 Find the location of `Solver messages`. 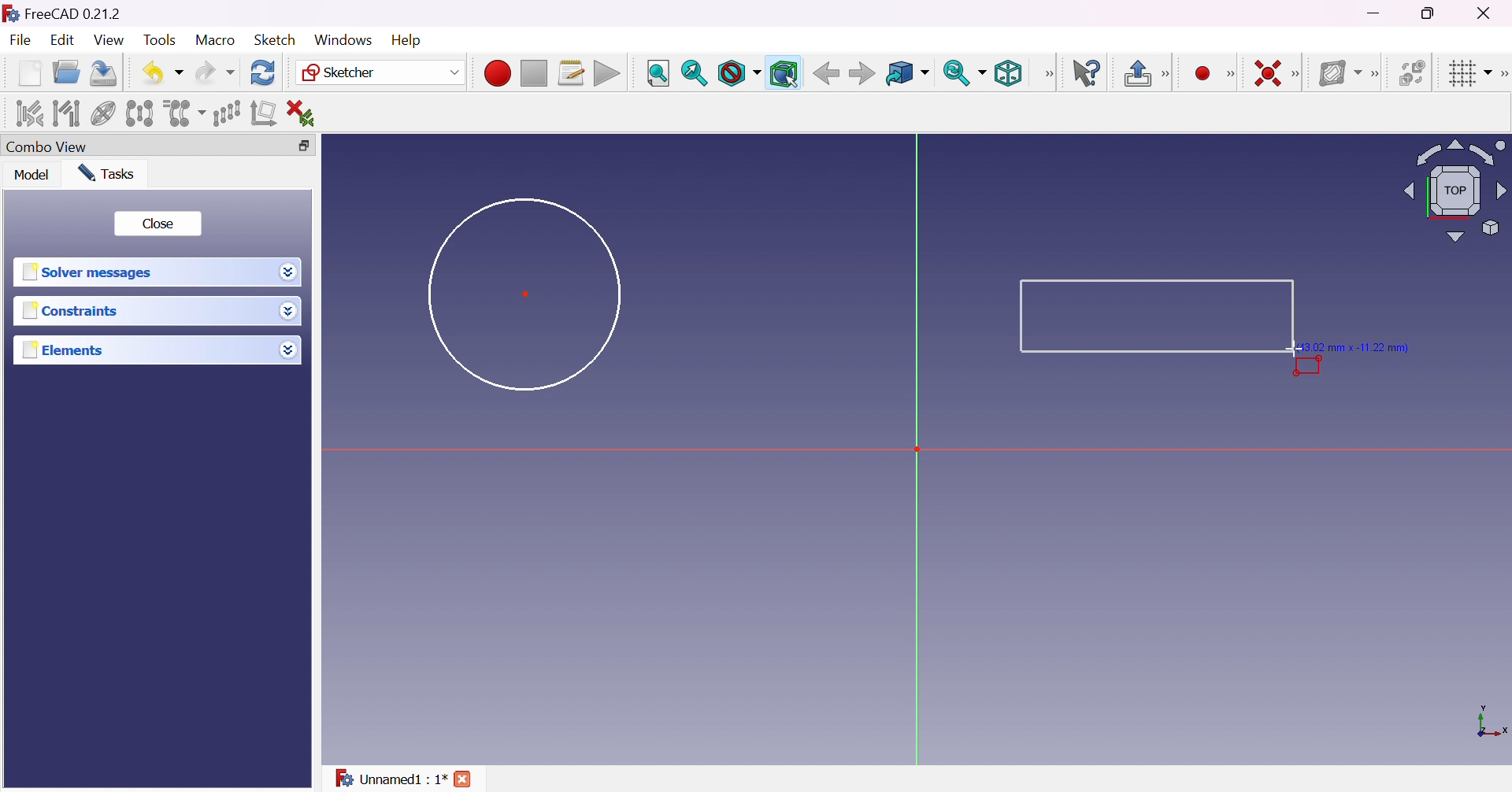

Solver messages is located at coordinates (87, 272).